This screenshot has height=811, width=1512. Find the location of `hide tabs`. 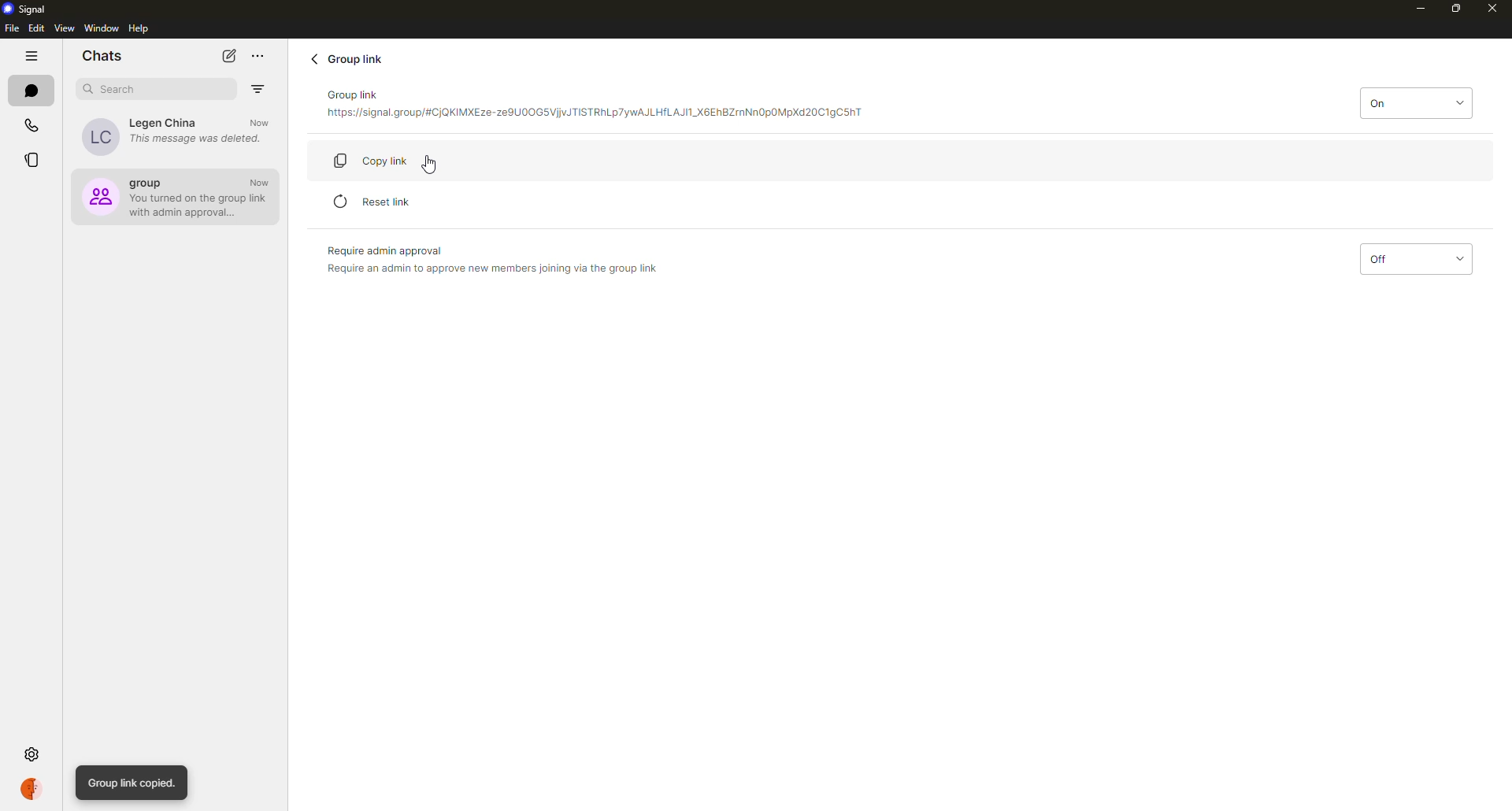

hide tabs is located at coordinates (33, 57).